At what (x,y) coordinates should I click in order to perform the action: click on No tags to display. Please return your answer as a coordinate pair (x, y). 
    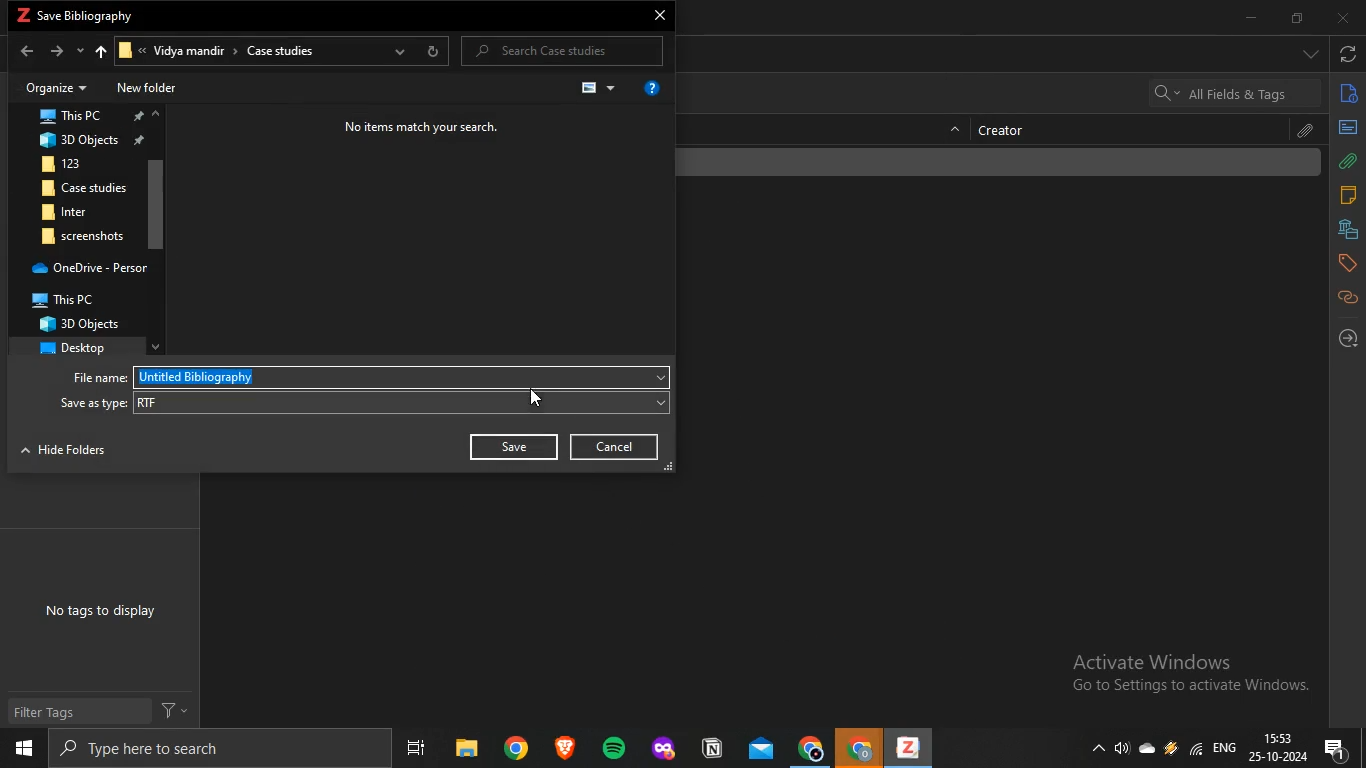
    Looking at the image, I should click on (102, 612).